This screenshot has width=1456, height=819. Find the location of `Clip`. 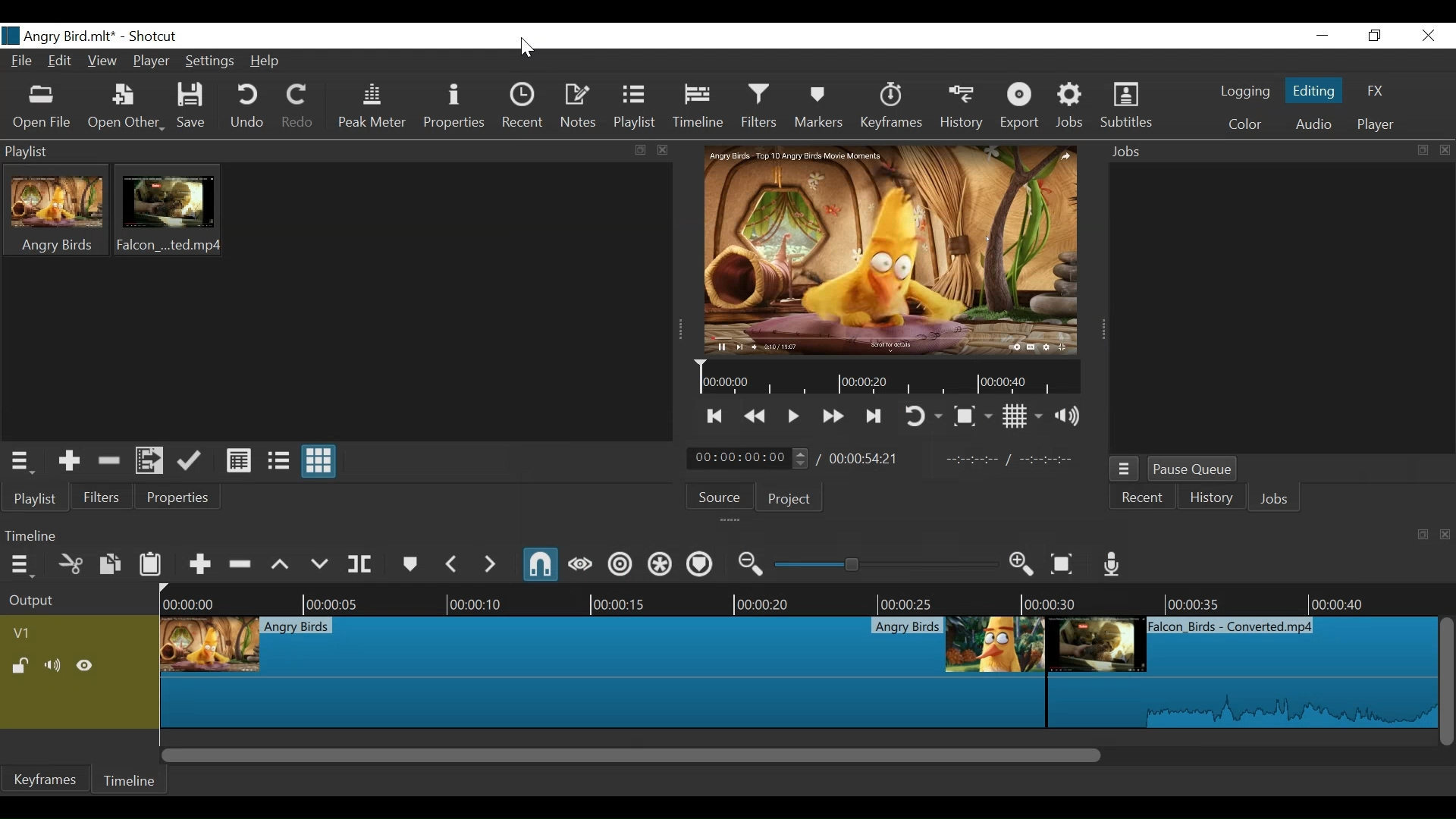

Clip is located at coordinates (167, 211).